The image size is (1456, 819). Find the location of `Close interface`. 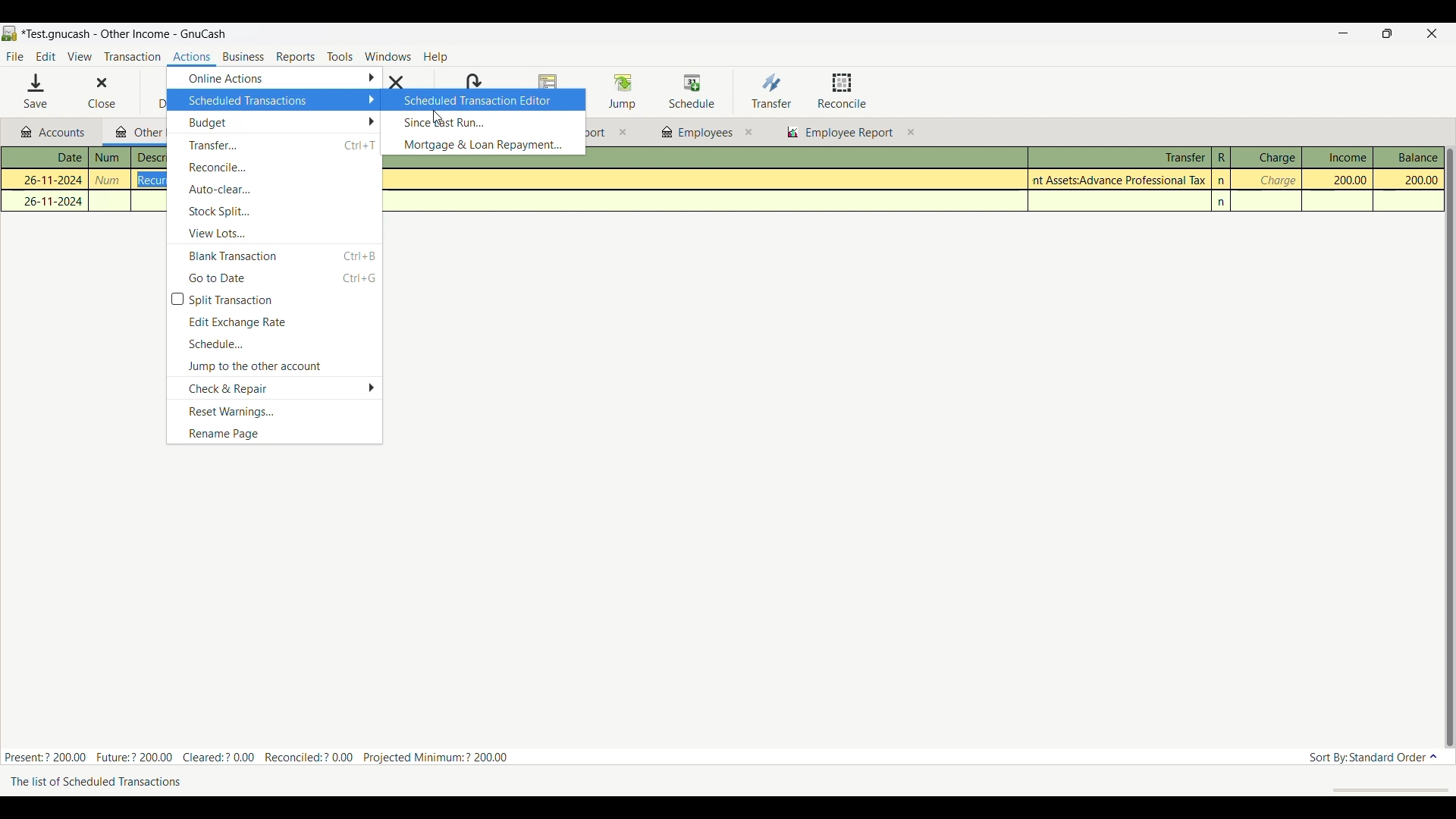

Close interface is located at coordinates (1429, 35).